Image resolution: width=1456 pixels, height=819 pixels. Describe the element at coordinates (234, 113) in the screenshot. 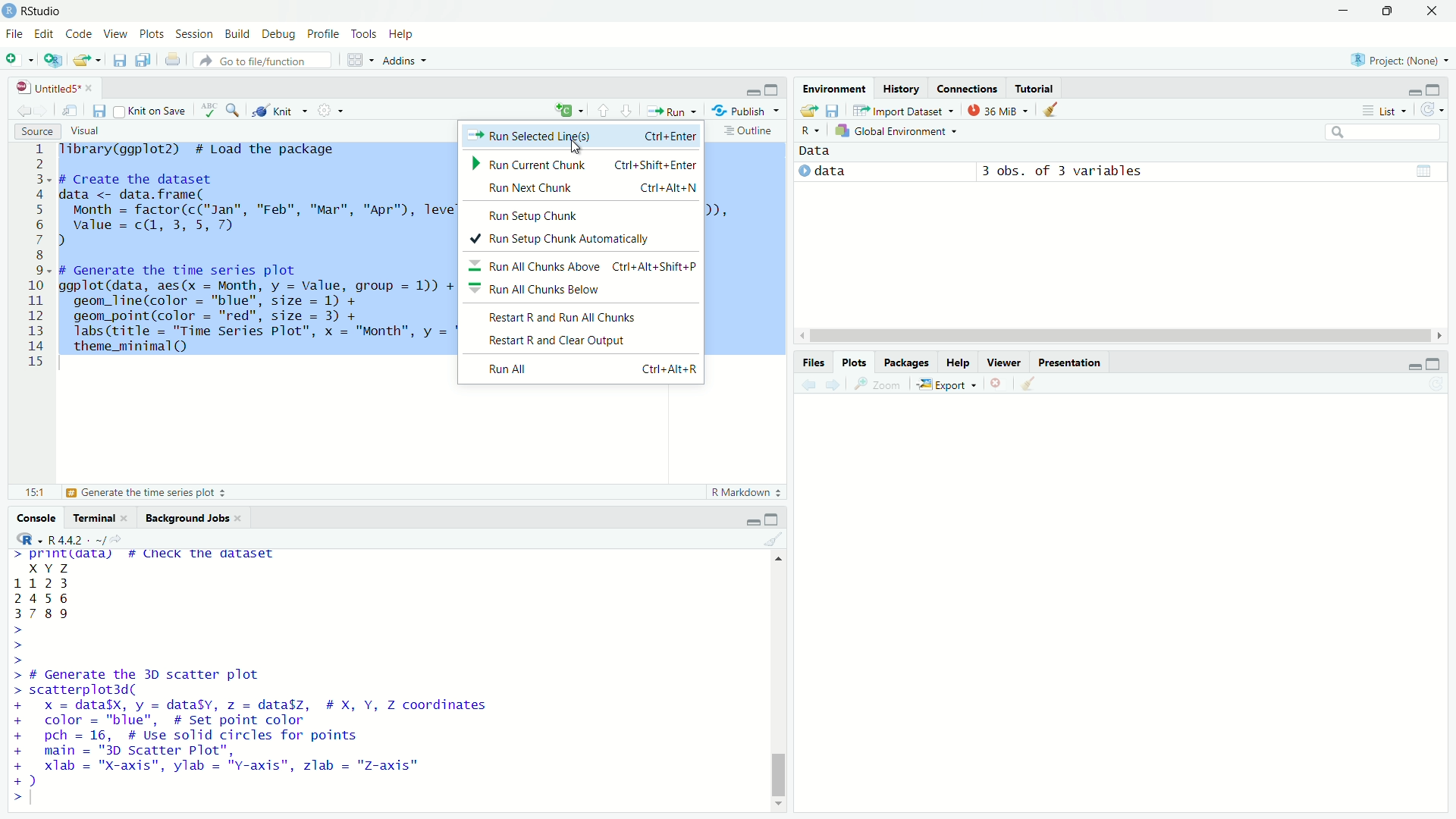

I see `find/replace` at that location.